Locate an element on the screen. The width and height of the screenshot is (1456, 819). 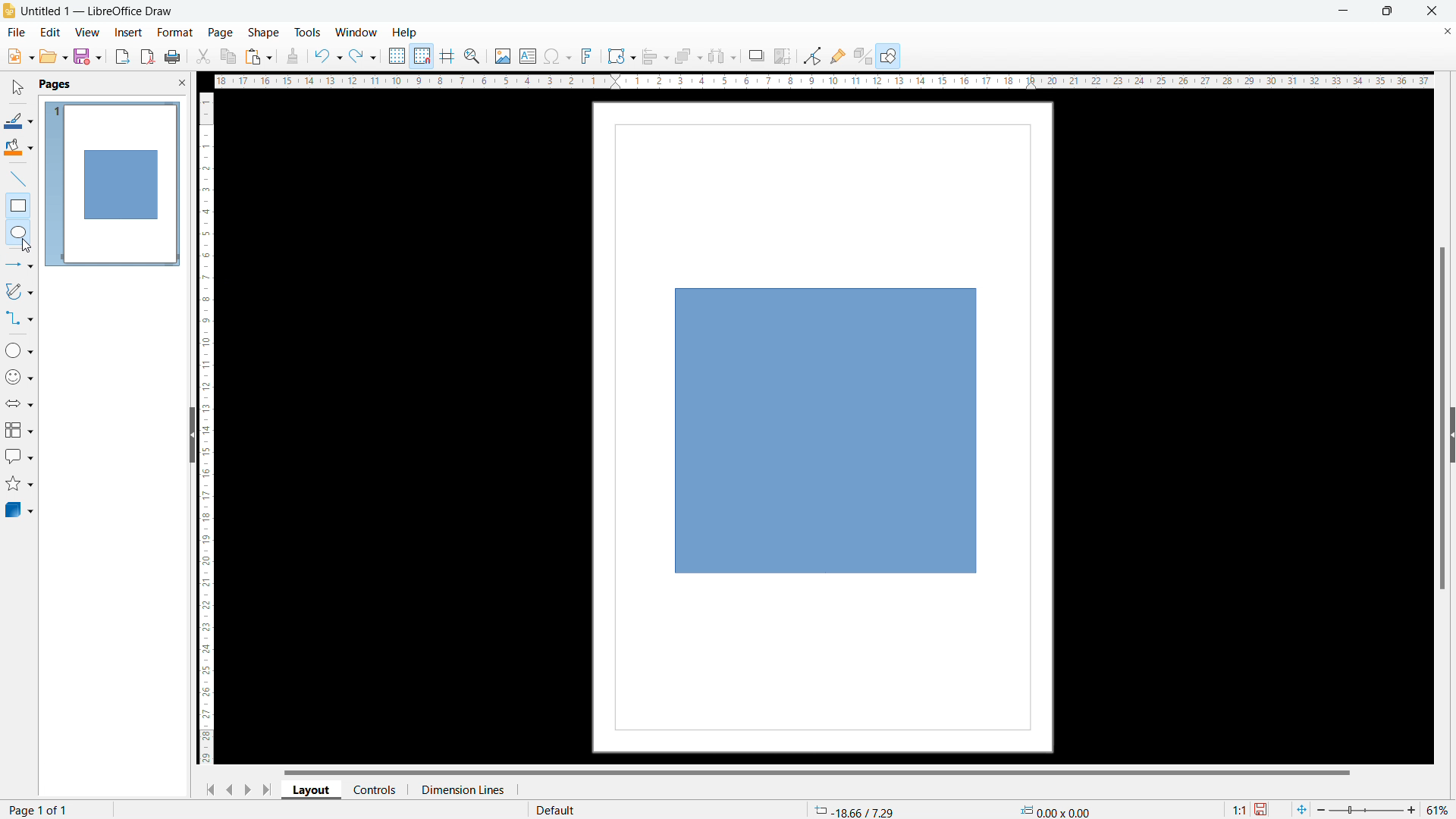
zoom i=out is located at coordinates (1323, 808).